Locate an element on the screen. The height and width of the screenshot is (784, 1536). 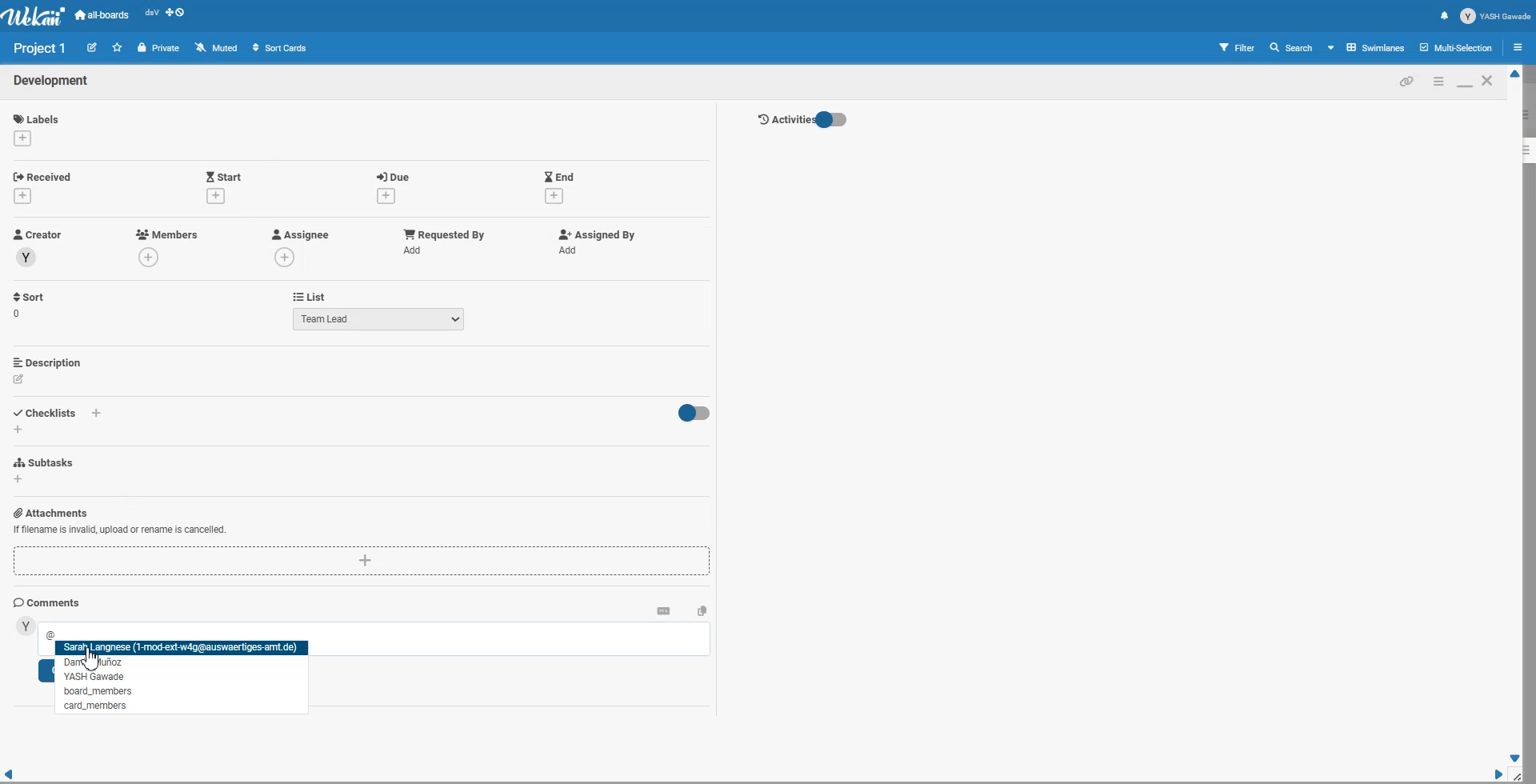
Add Assigned By is located at coordinates (594, 234).